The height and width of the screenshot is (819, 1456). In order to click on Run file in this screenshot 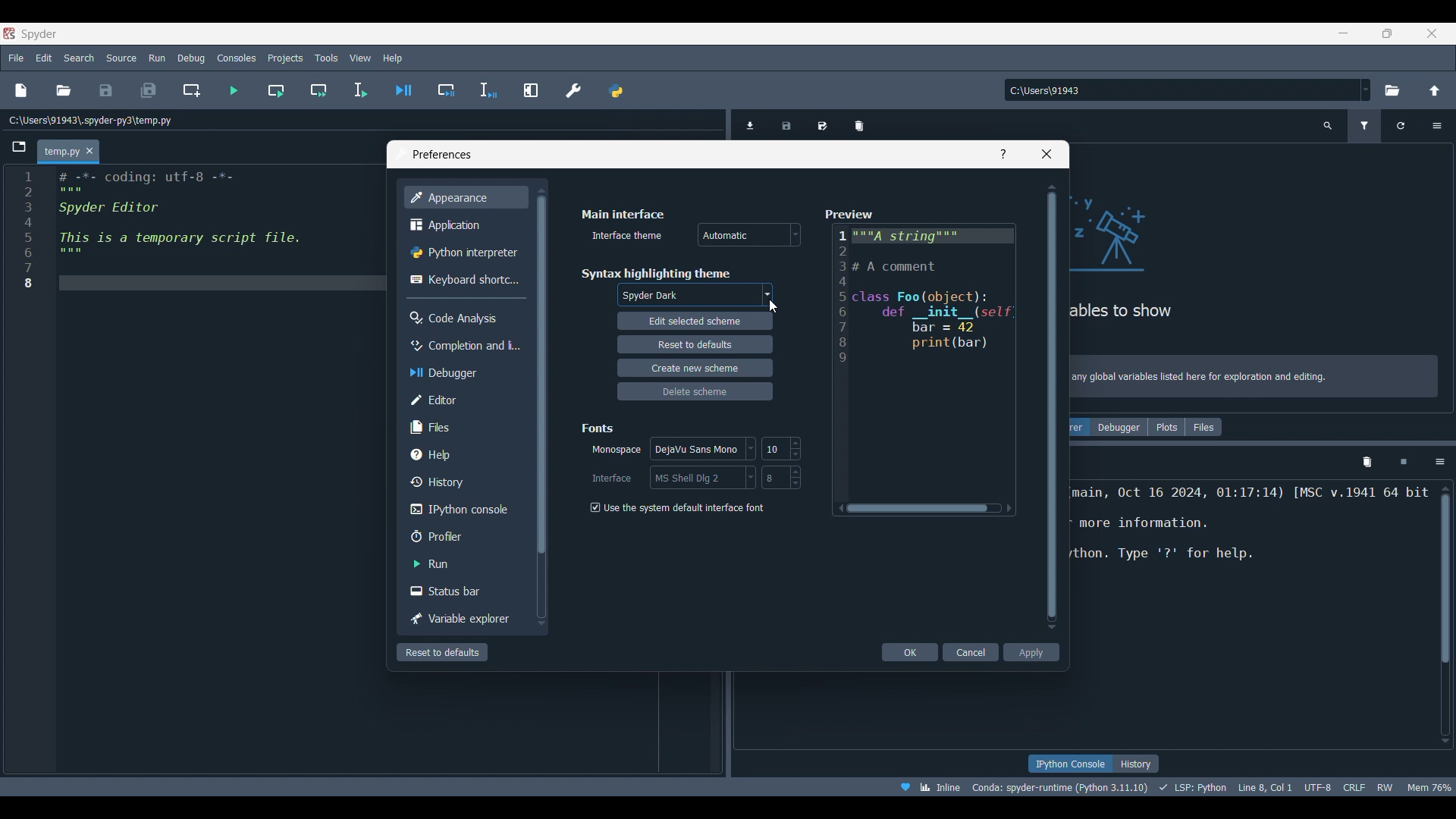, I will do `click(234, 90)`.